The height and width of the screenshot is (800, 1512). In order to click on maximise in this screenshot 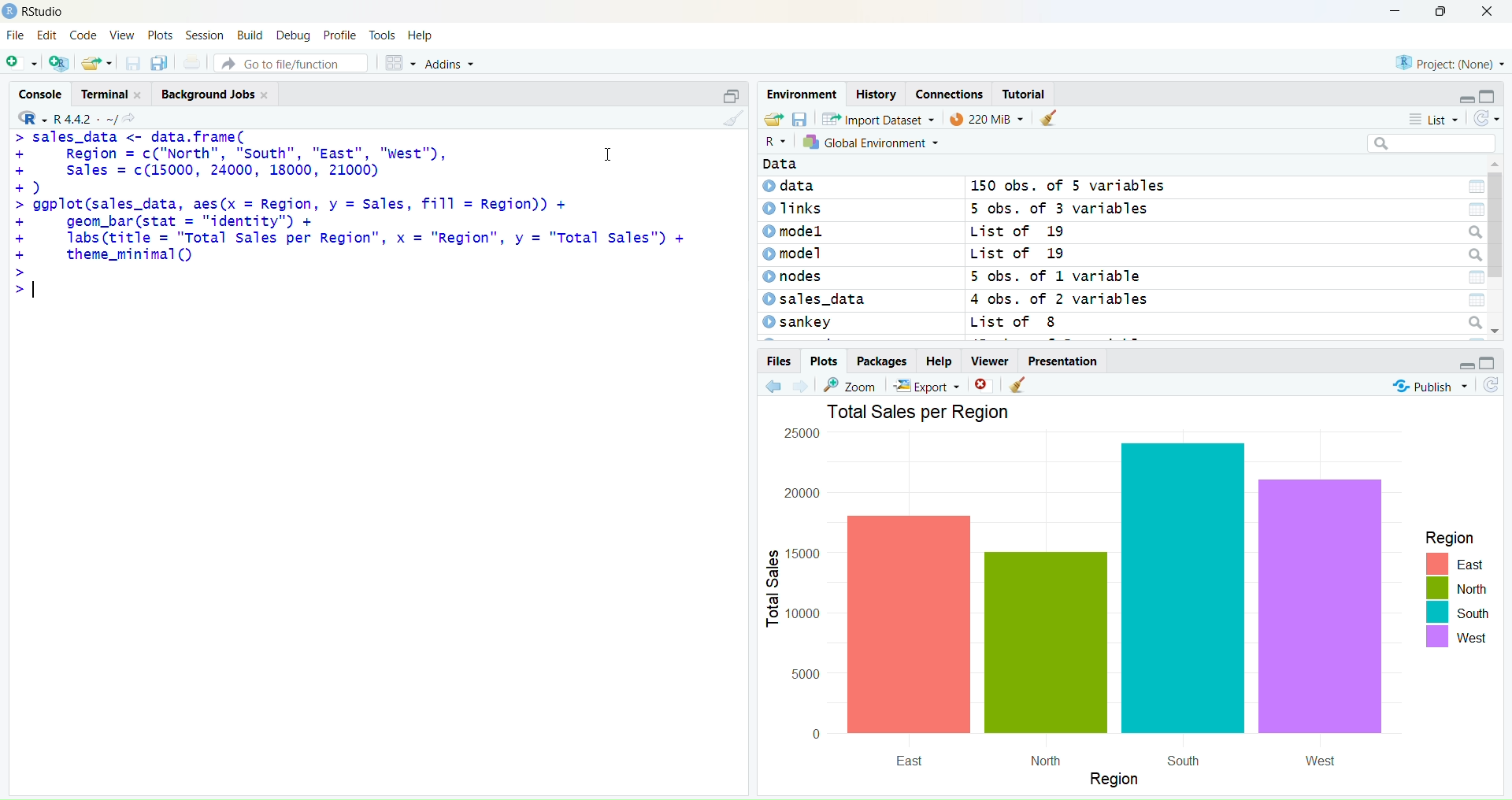, I will do `click(1444, 11)`.